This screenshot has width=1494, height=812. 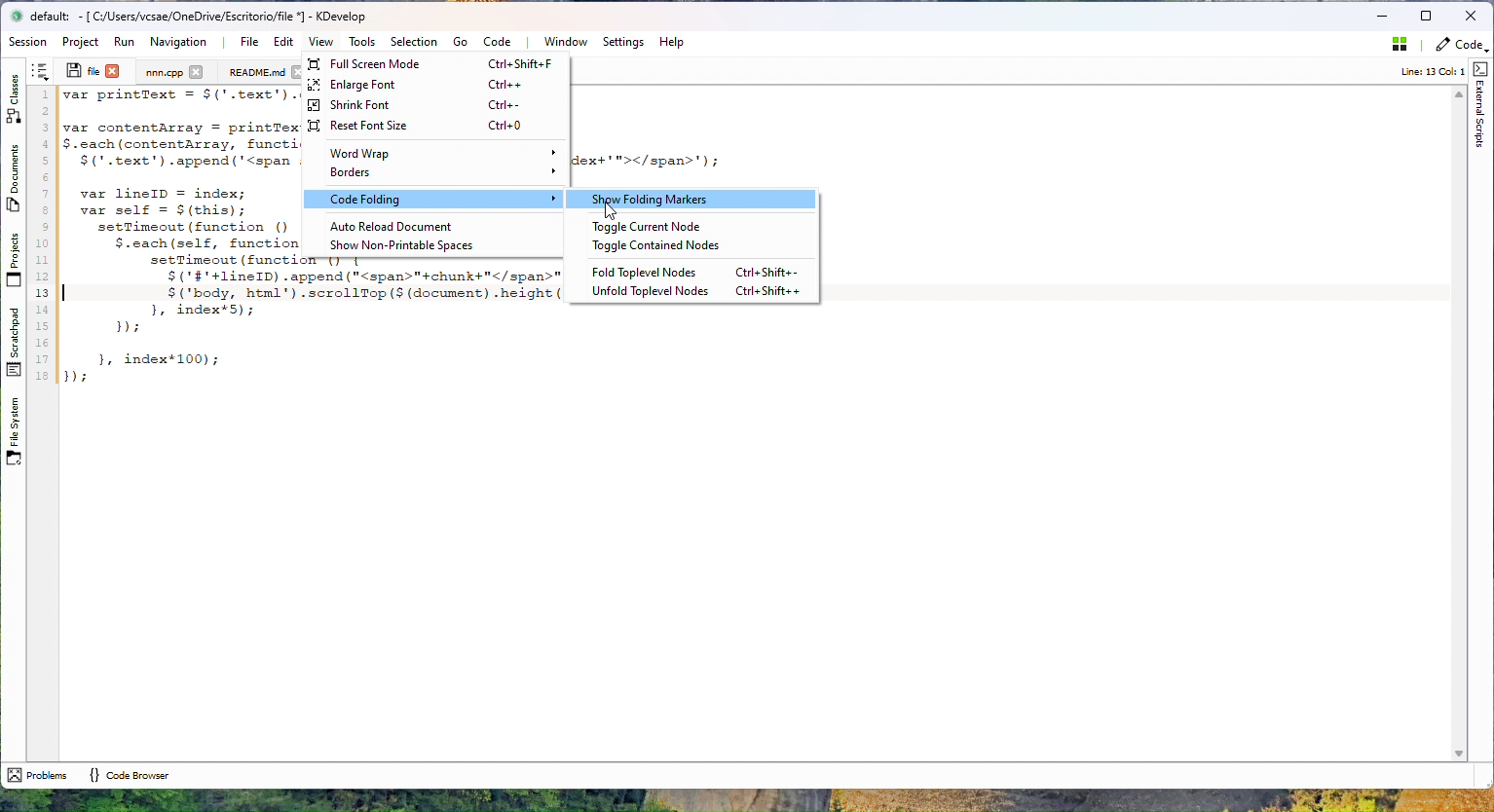 What do you see at coordinates (437, 154) in the screenshot?
I see `Word Wrap` at bounding box center [437, 154].